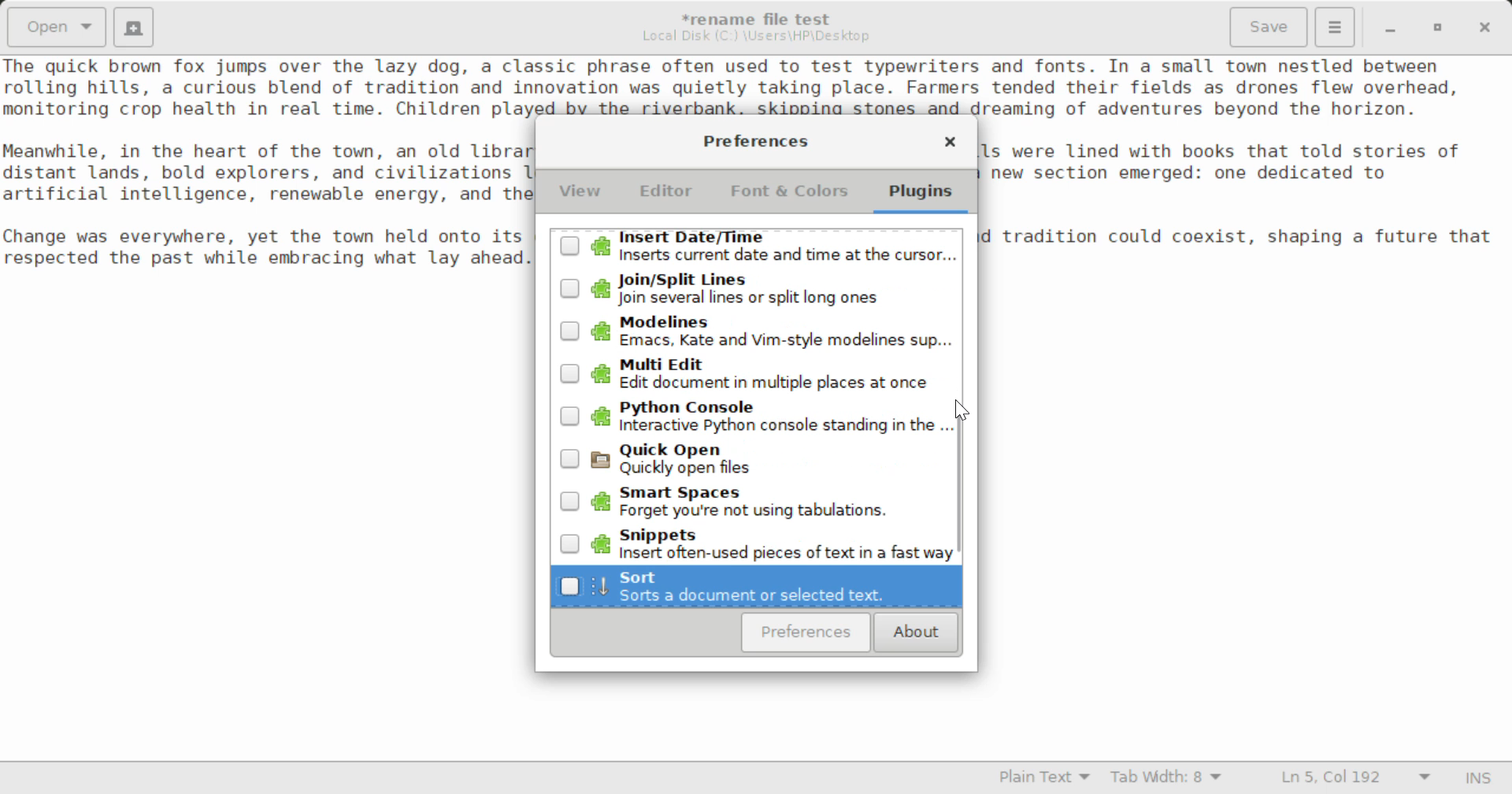 The image size is (1512, 794). I want to click on Save, so click(1270, 28).